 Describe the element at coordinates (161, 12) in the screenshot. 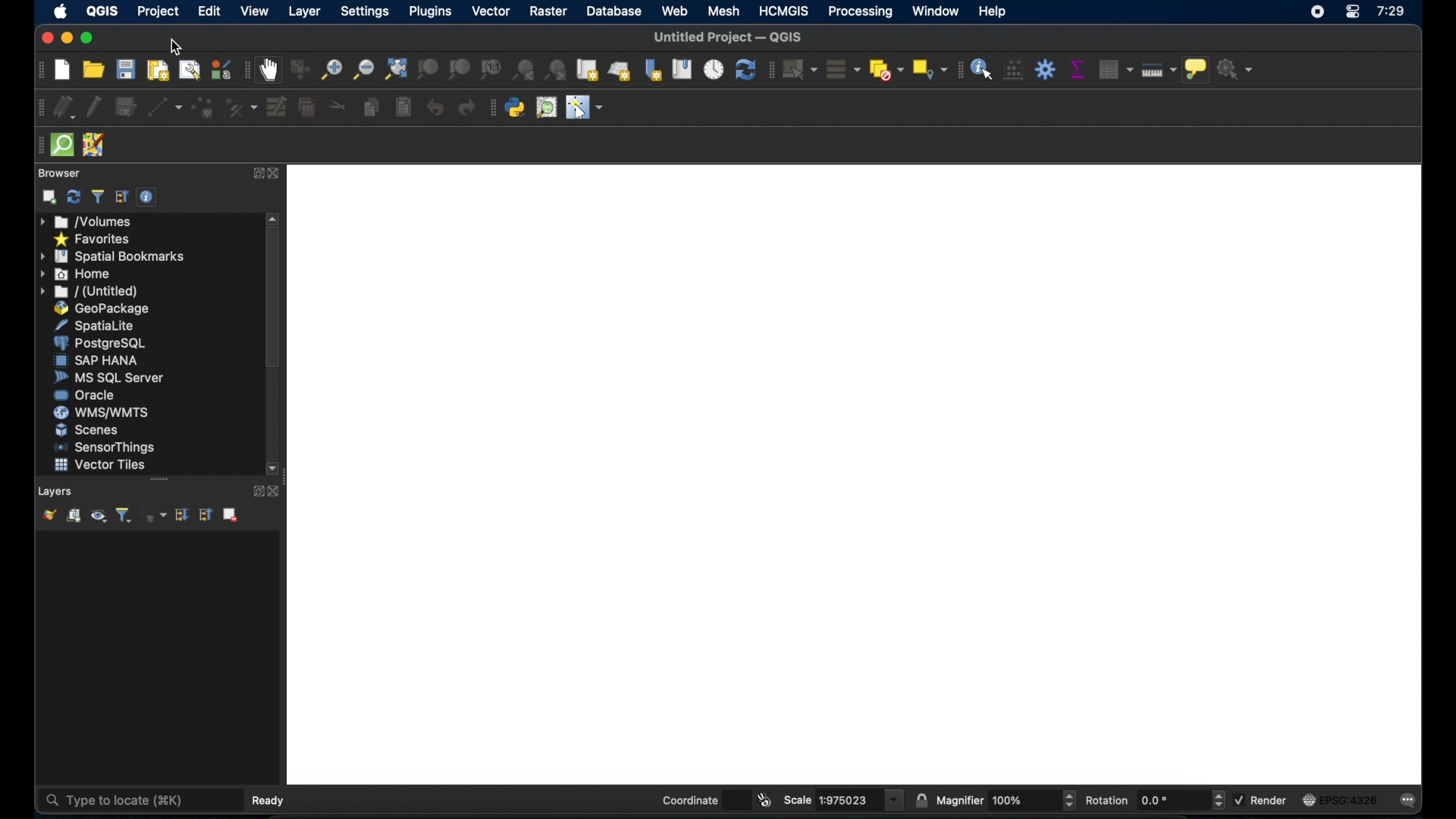

I see `project` at that location.